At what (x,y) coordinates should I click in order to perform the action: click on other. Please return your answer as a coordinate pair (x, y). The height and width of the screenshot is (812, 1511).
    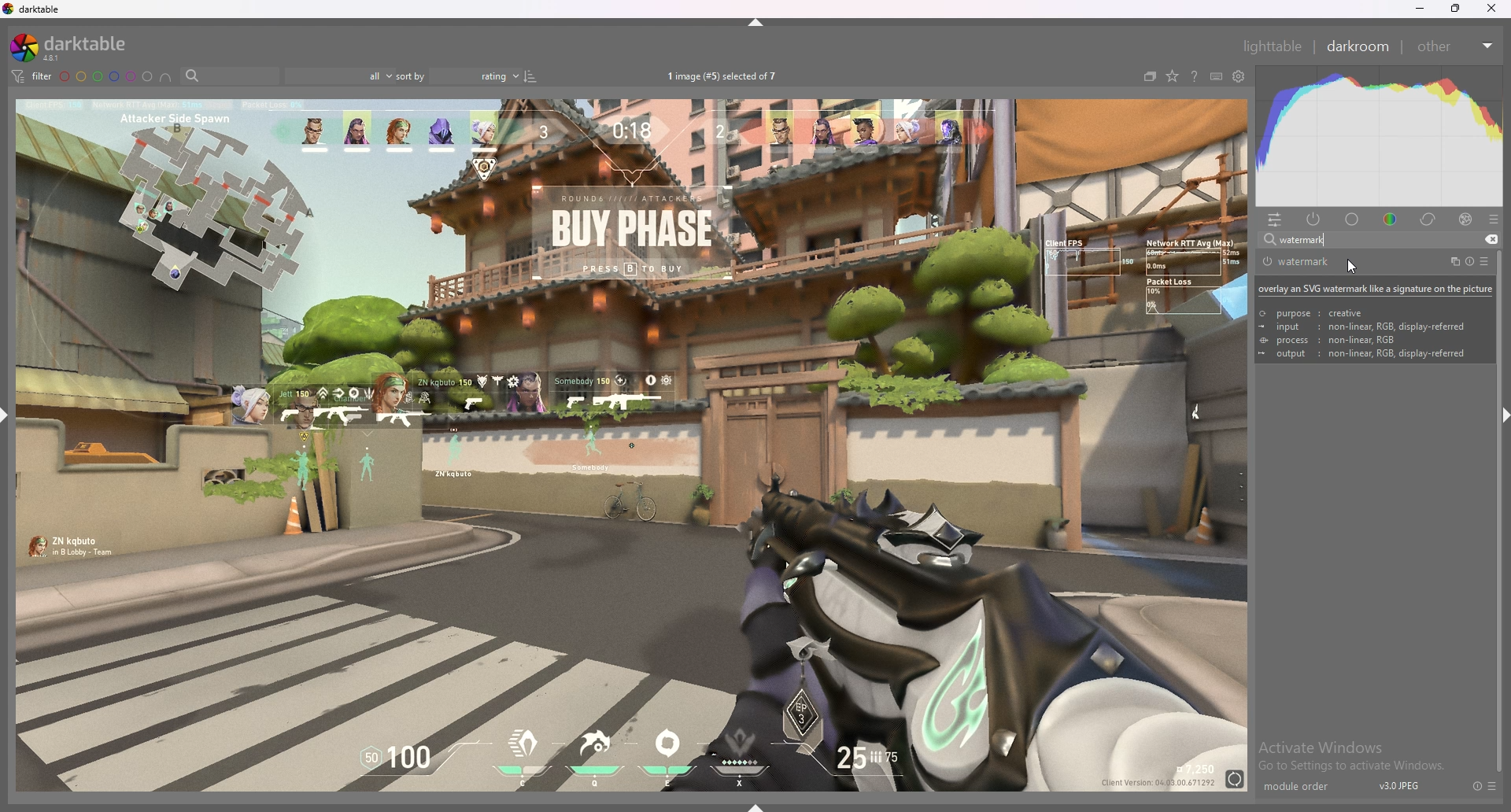
    Looking at the image, I should click on (1454, 46).